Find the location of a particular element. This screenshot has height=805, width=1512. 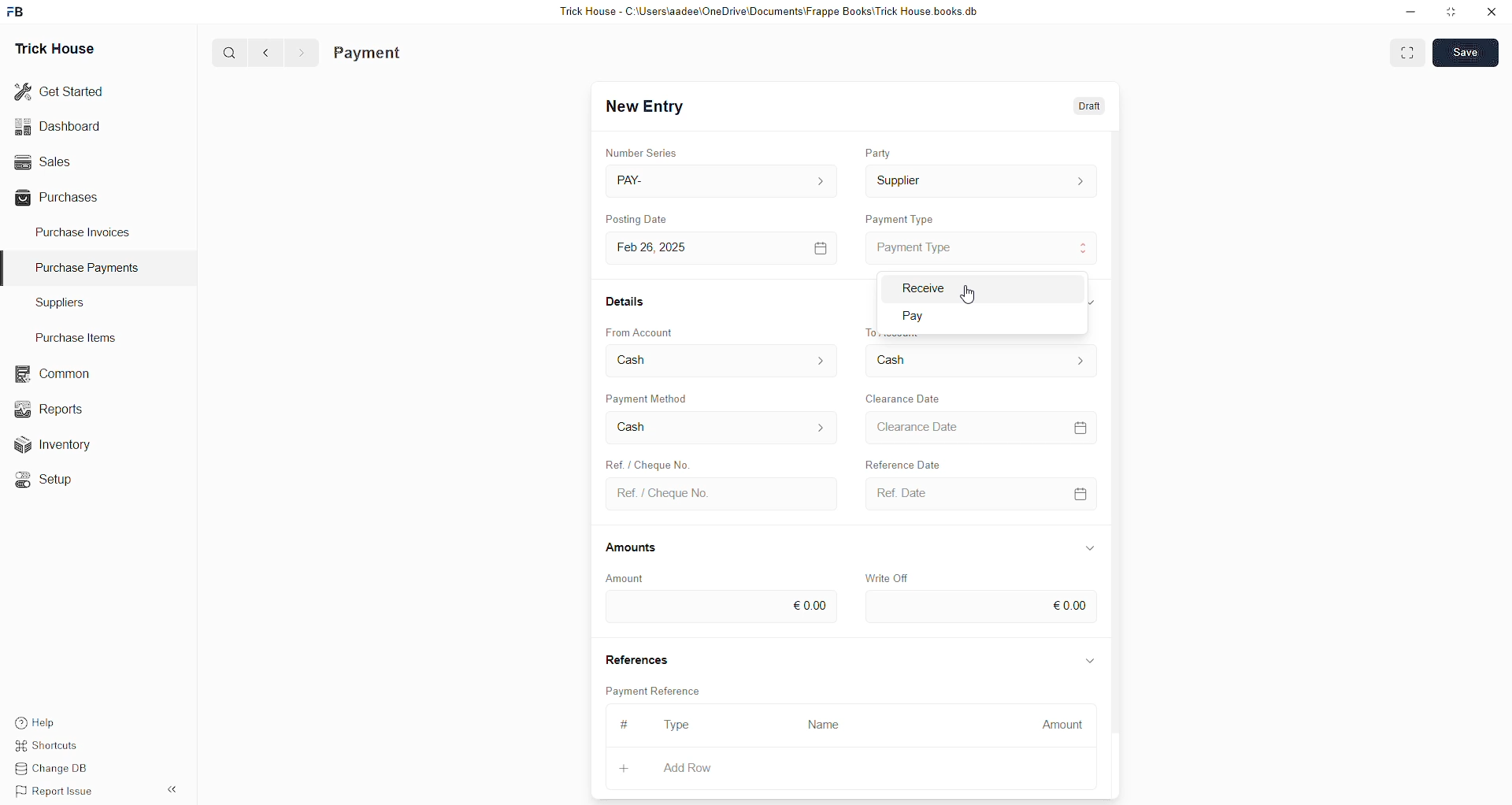

Clearance Date is located at coordinates (905, 397).